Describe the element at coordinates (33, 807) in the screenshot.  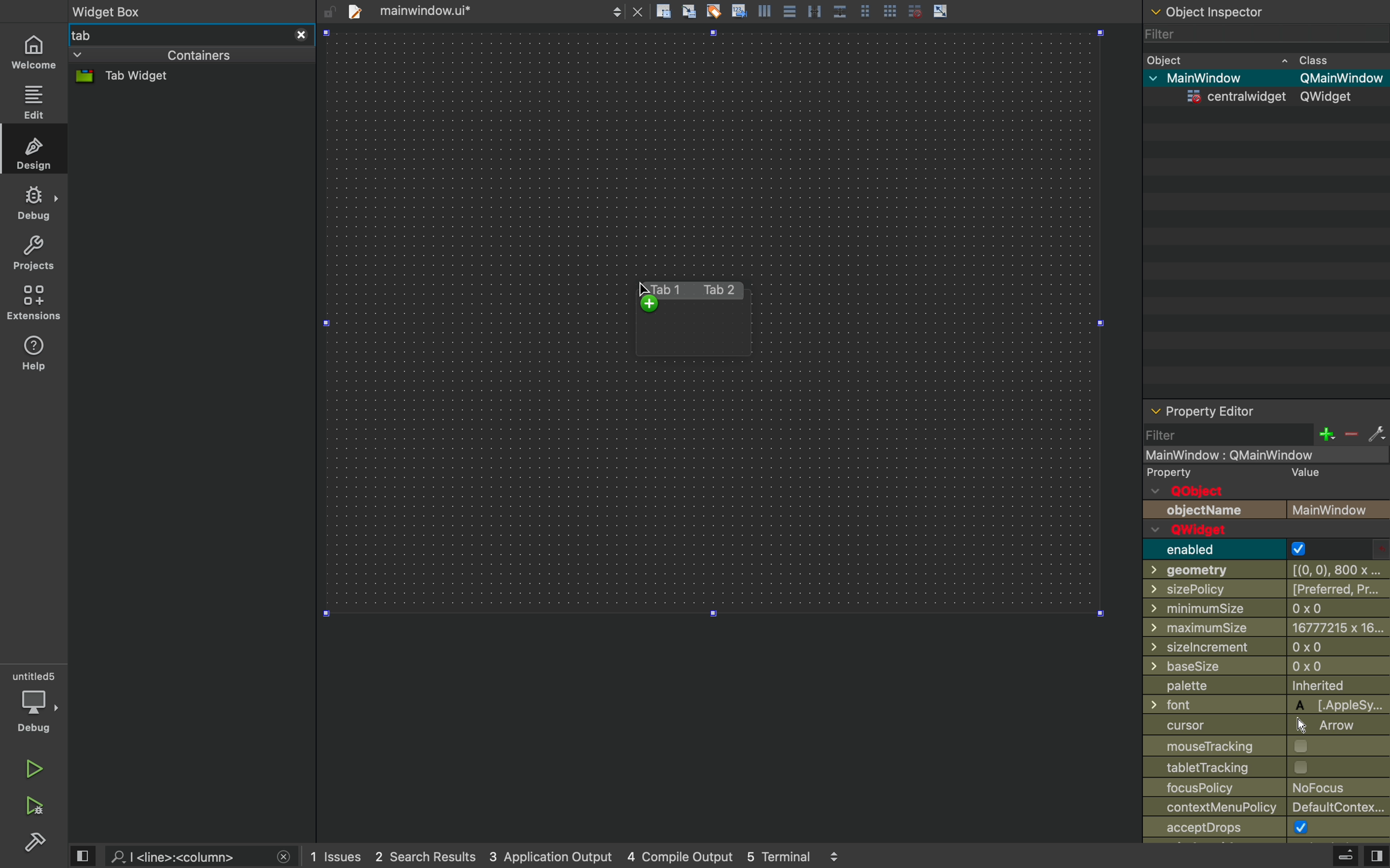
I see `run and debug` at that location.